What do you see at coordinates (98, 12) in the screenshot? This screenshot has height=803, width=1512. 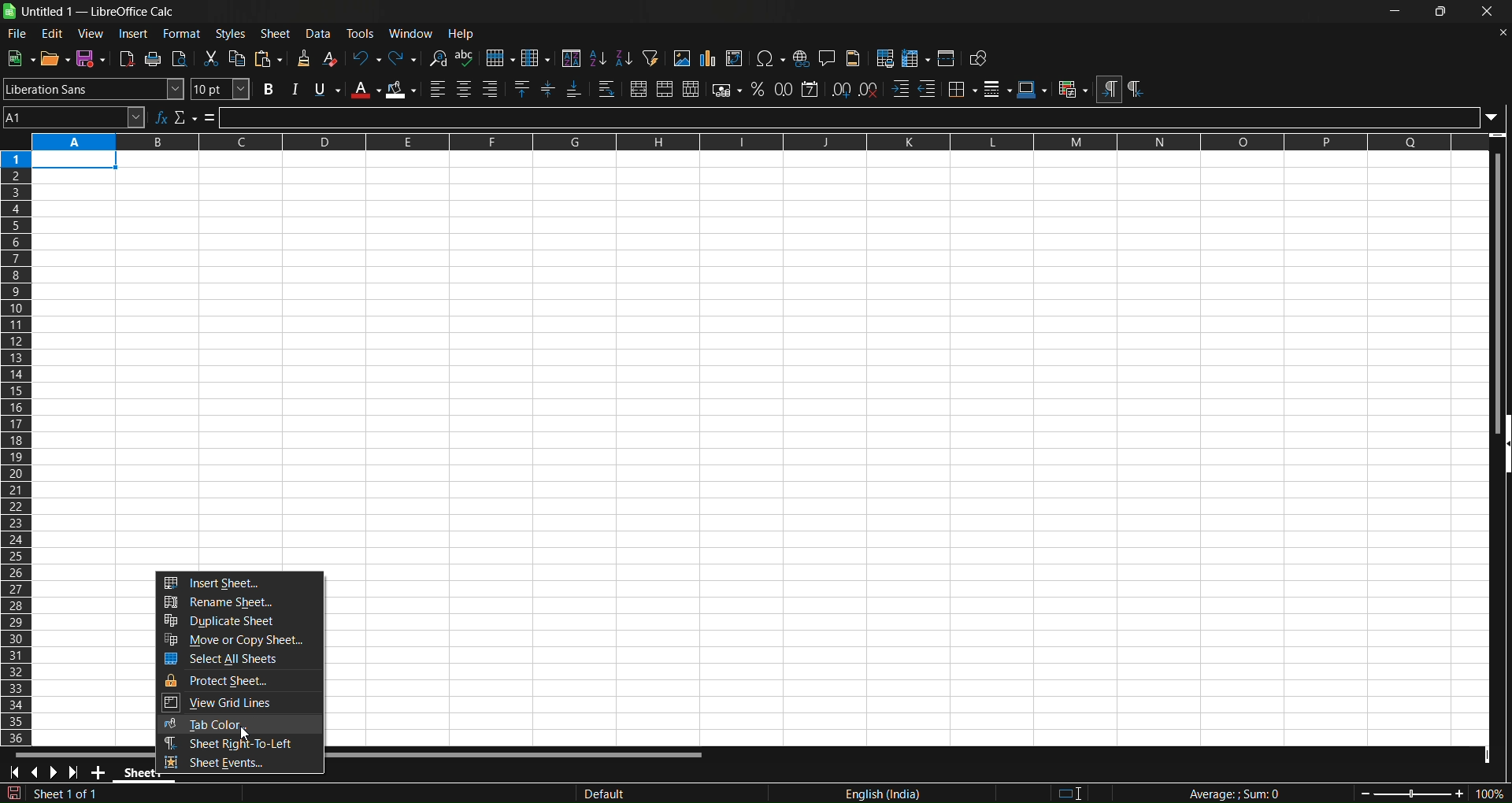 I see `title` at bounding box center [98, 12].